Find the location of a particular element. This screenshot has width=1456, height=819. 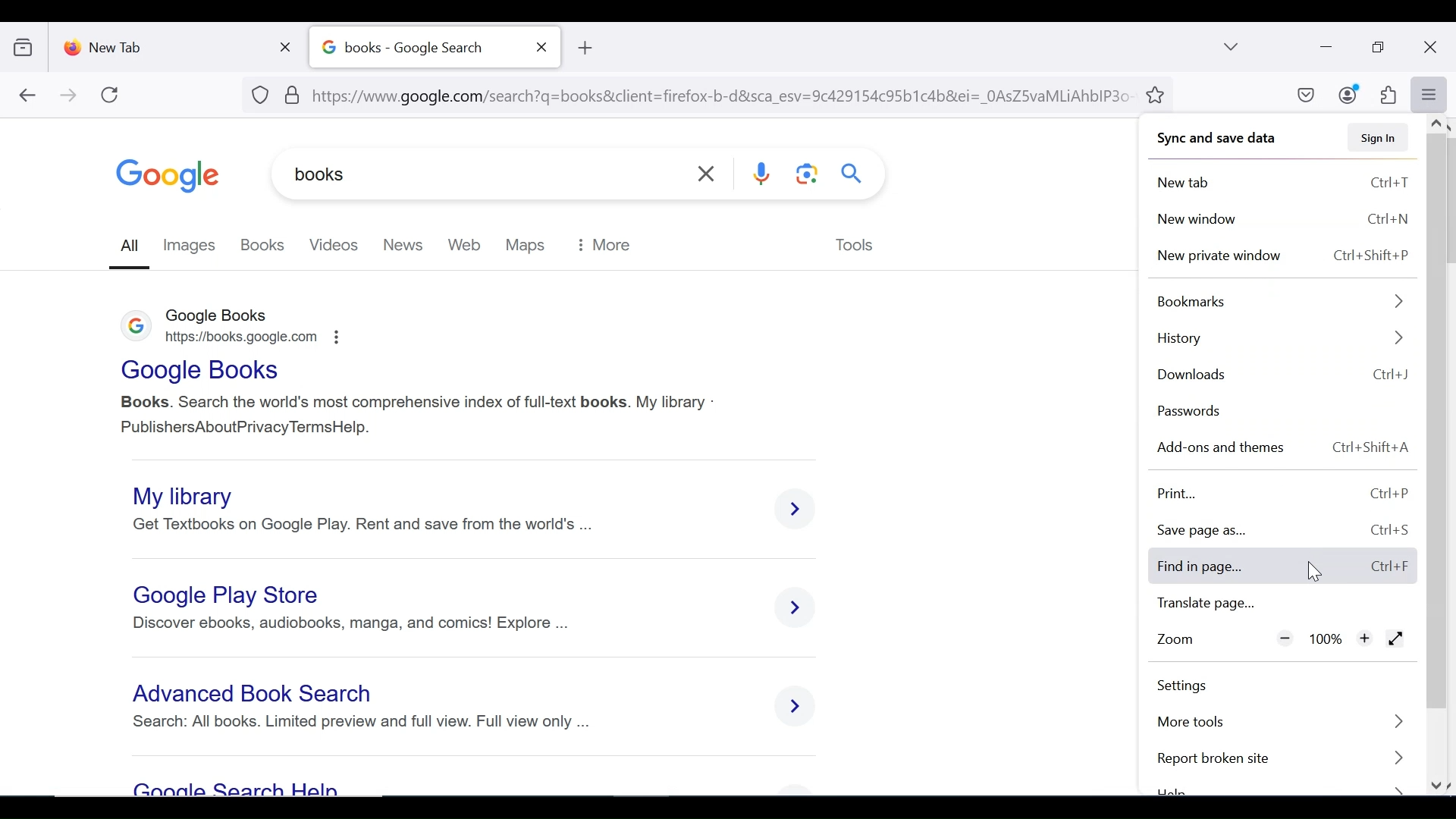

new tB is located at coordinates (584, 48).